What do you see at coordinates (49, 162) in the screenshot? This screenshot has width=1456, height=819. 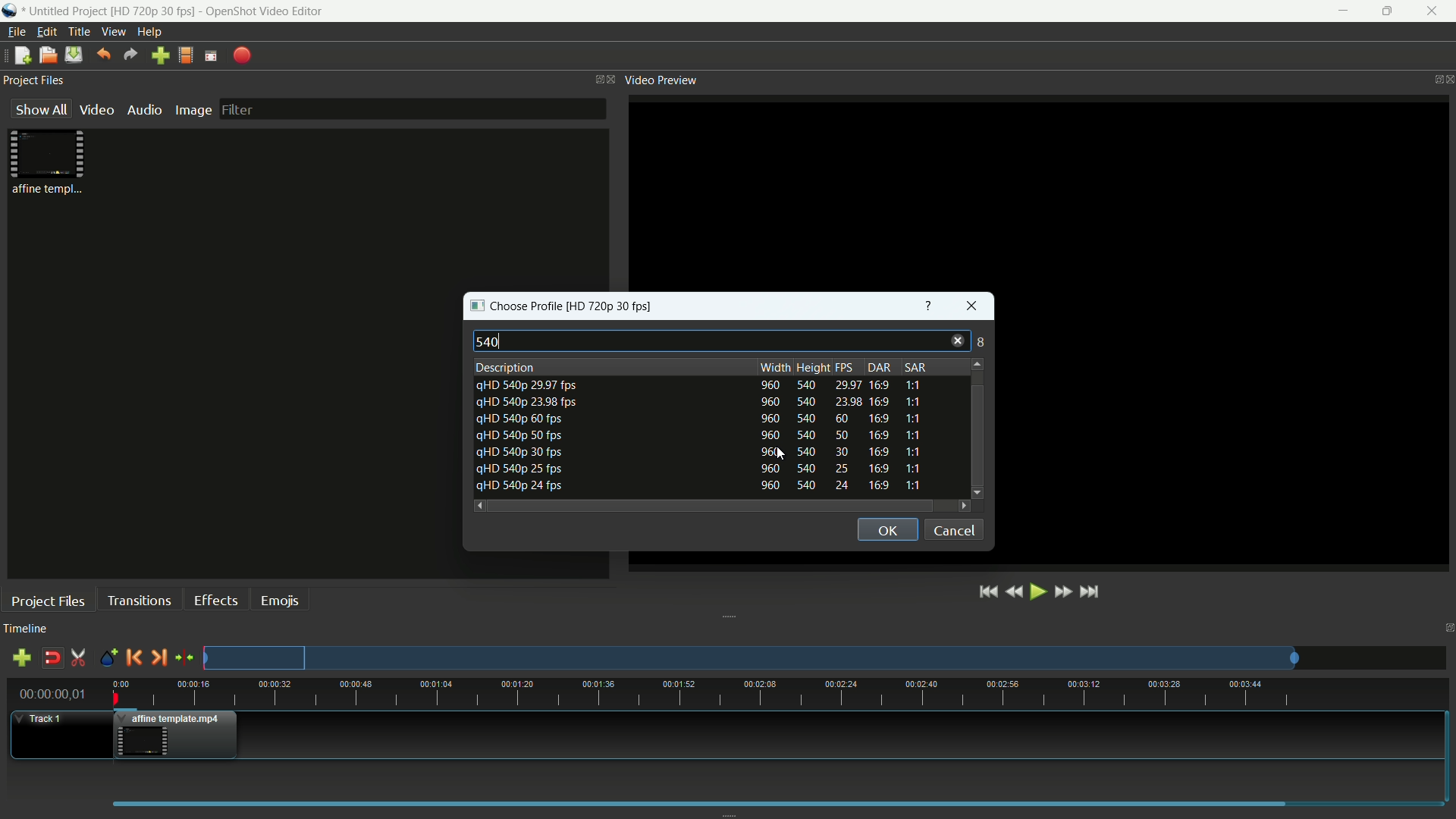 I see `project file` at bounding box center [49, 162].